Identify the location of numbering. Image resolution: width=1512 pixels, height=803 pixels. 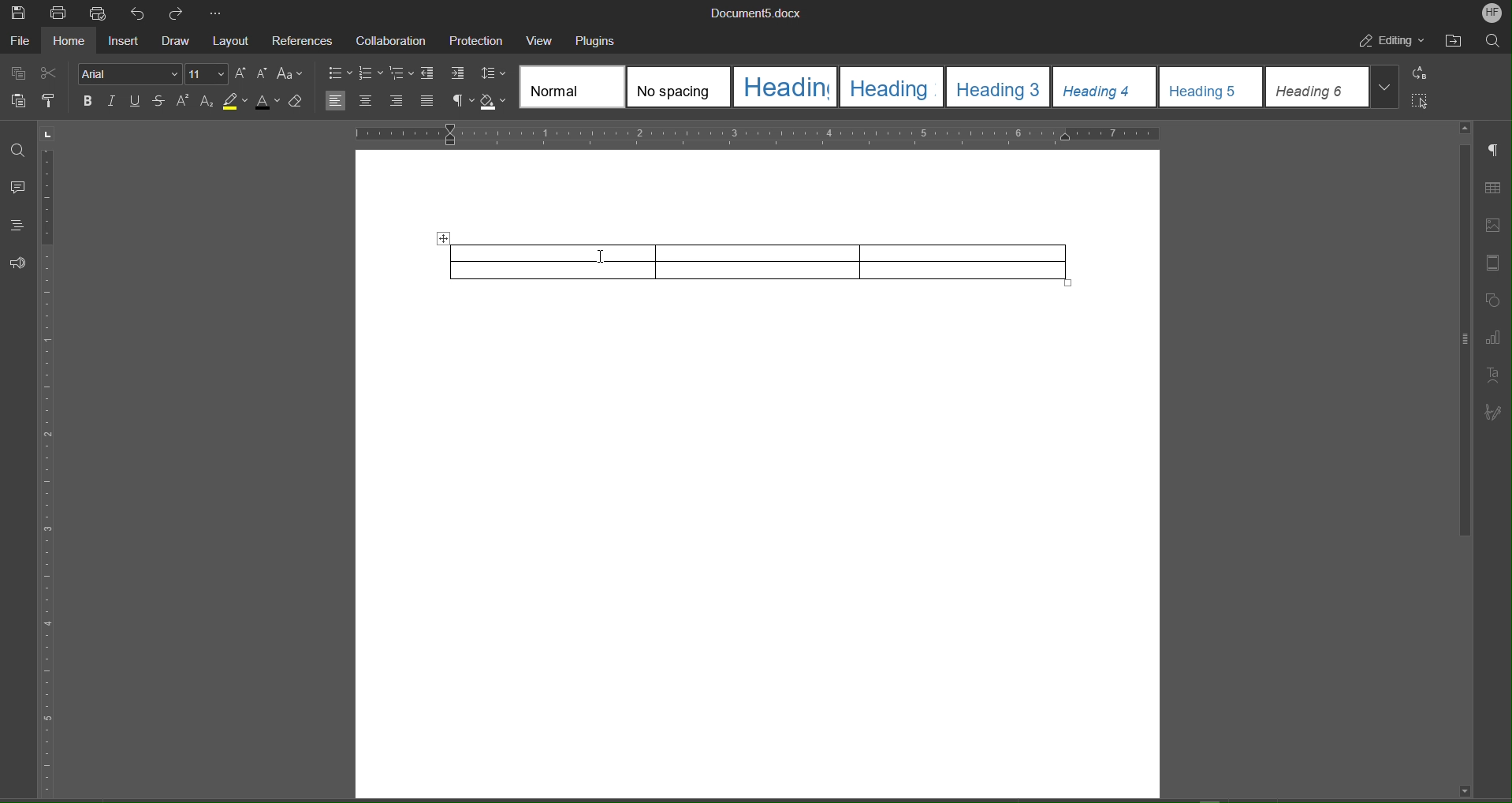
(371, 75).